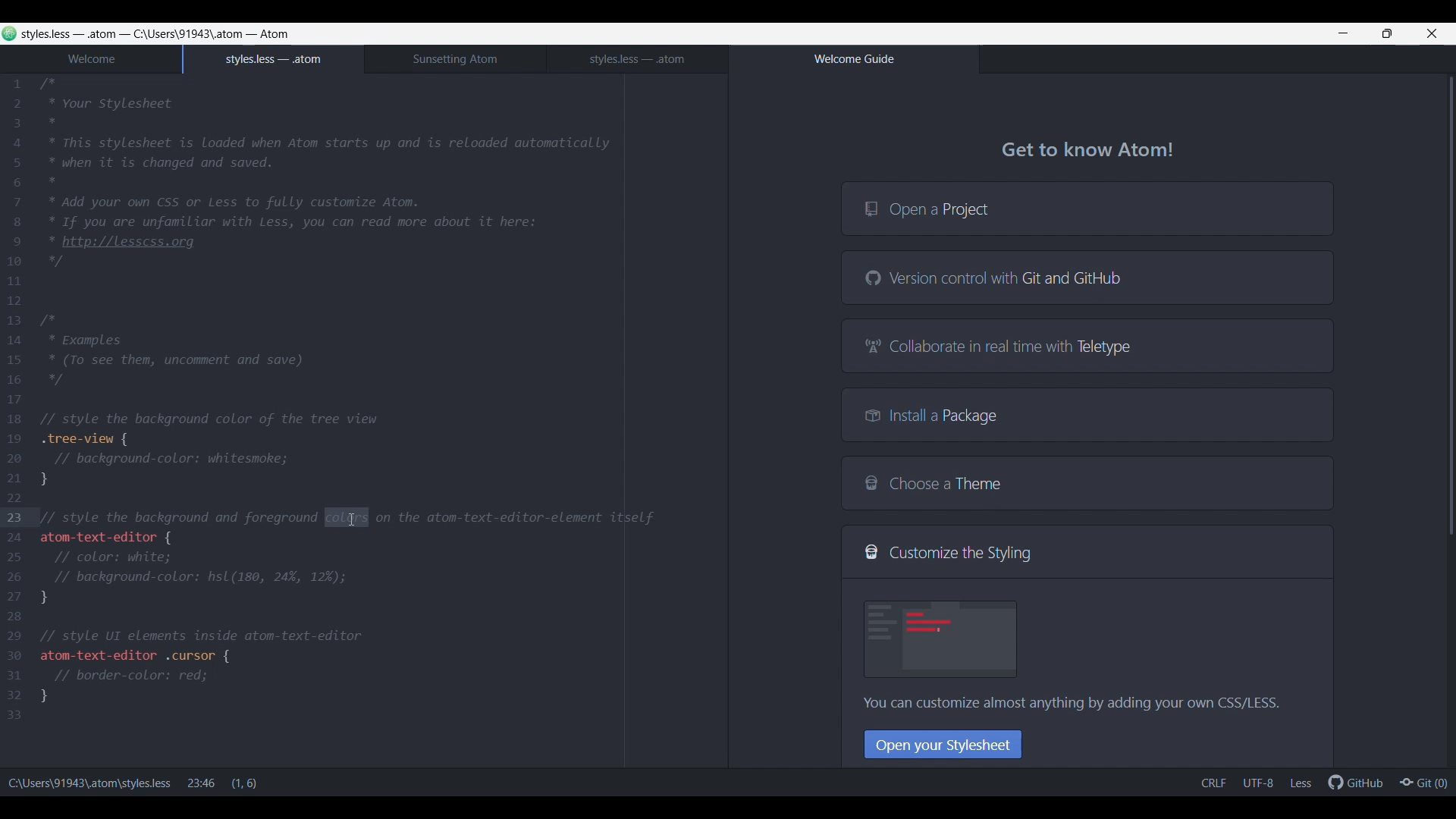  Describe the element at coordinates (1447, 311) in the screenshot. I see `vertical scroll bar` at that location.